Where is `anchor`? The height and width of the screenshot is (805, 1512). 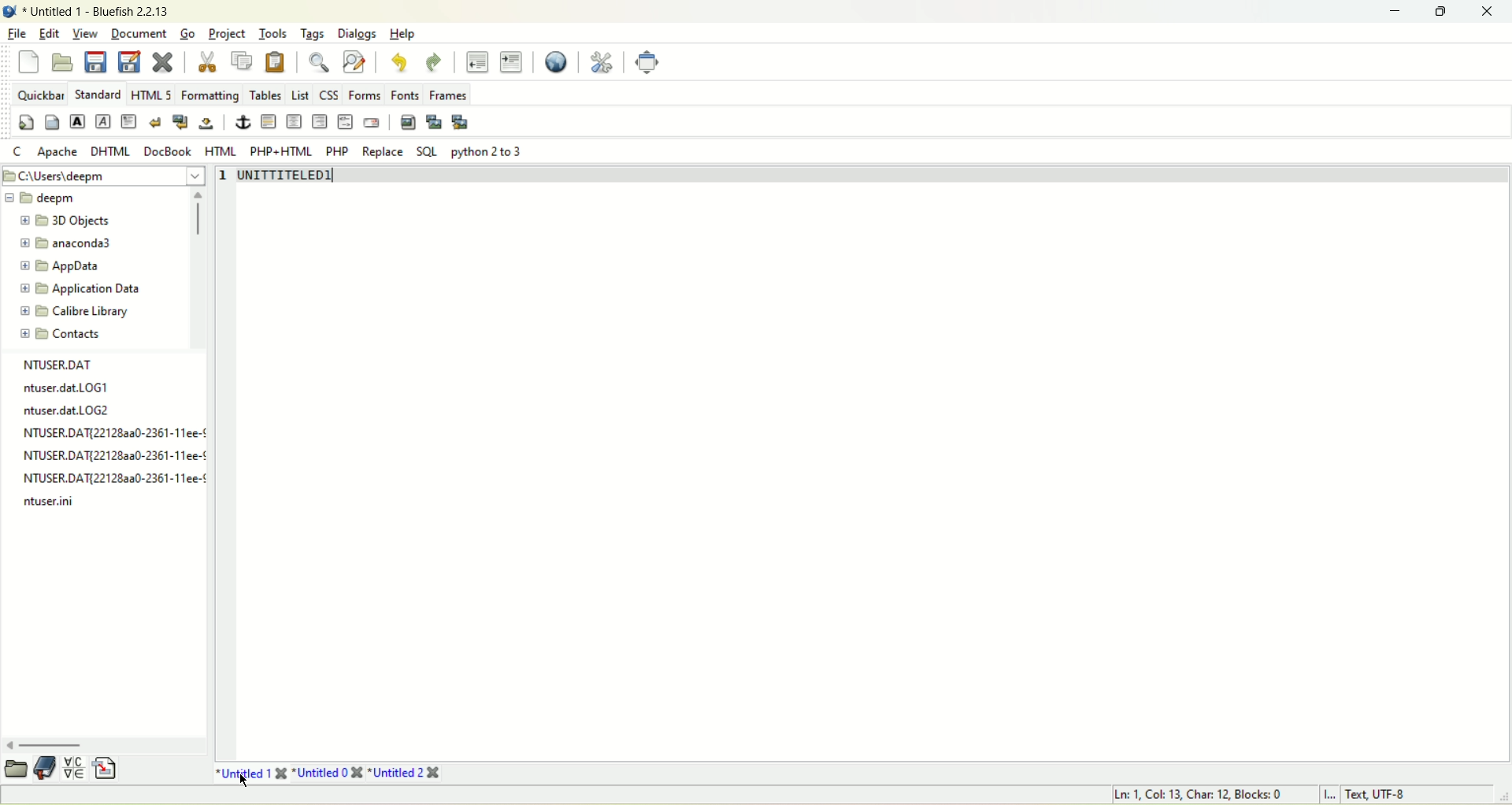 anchor is located at coordinates (241, 122).